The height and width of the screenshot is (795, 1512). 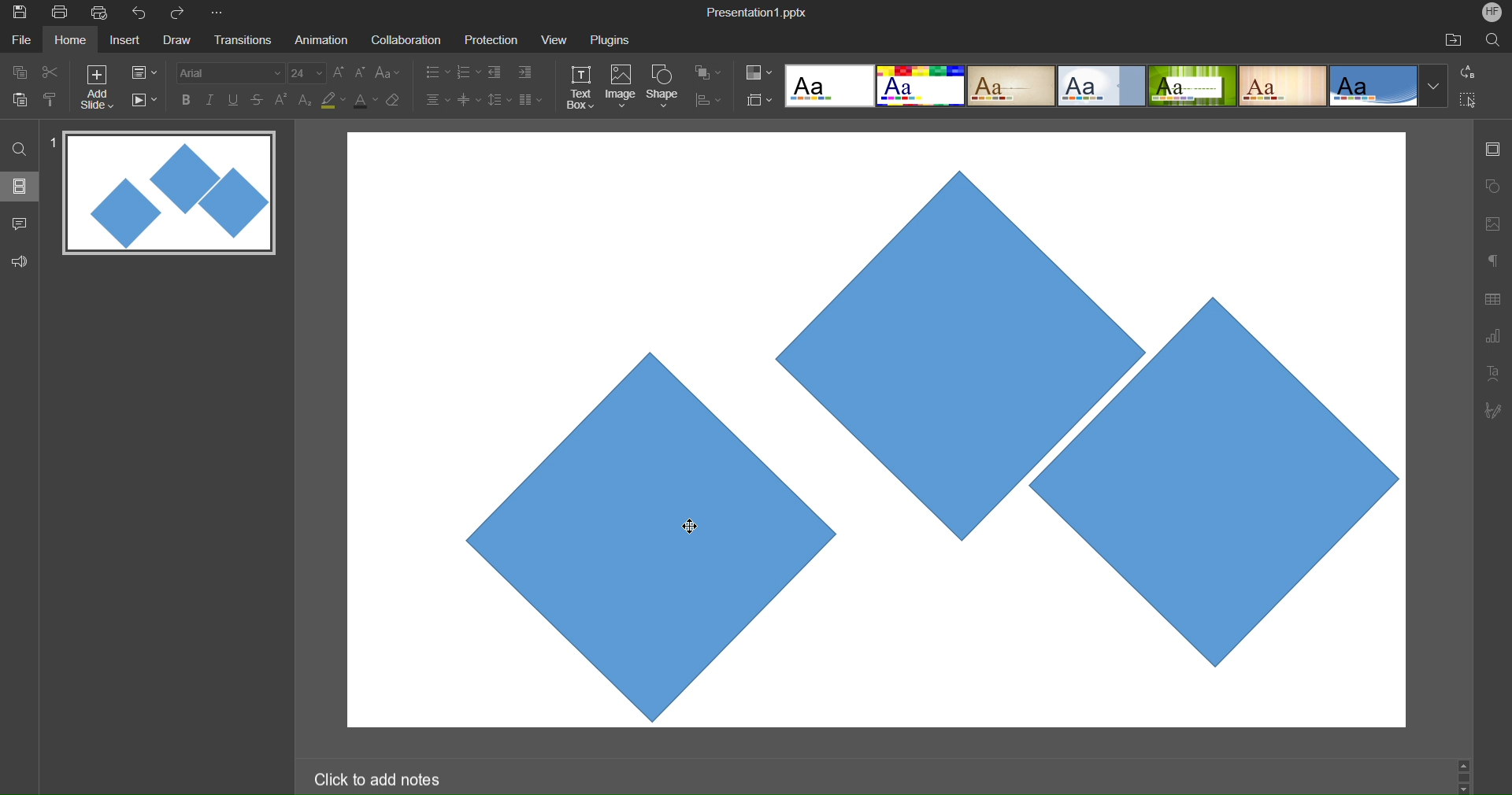 What do you see at coordinates (388, 72) in the screenshot?
I see `Font Case Settings` at bounding box center [388, 72].